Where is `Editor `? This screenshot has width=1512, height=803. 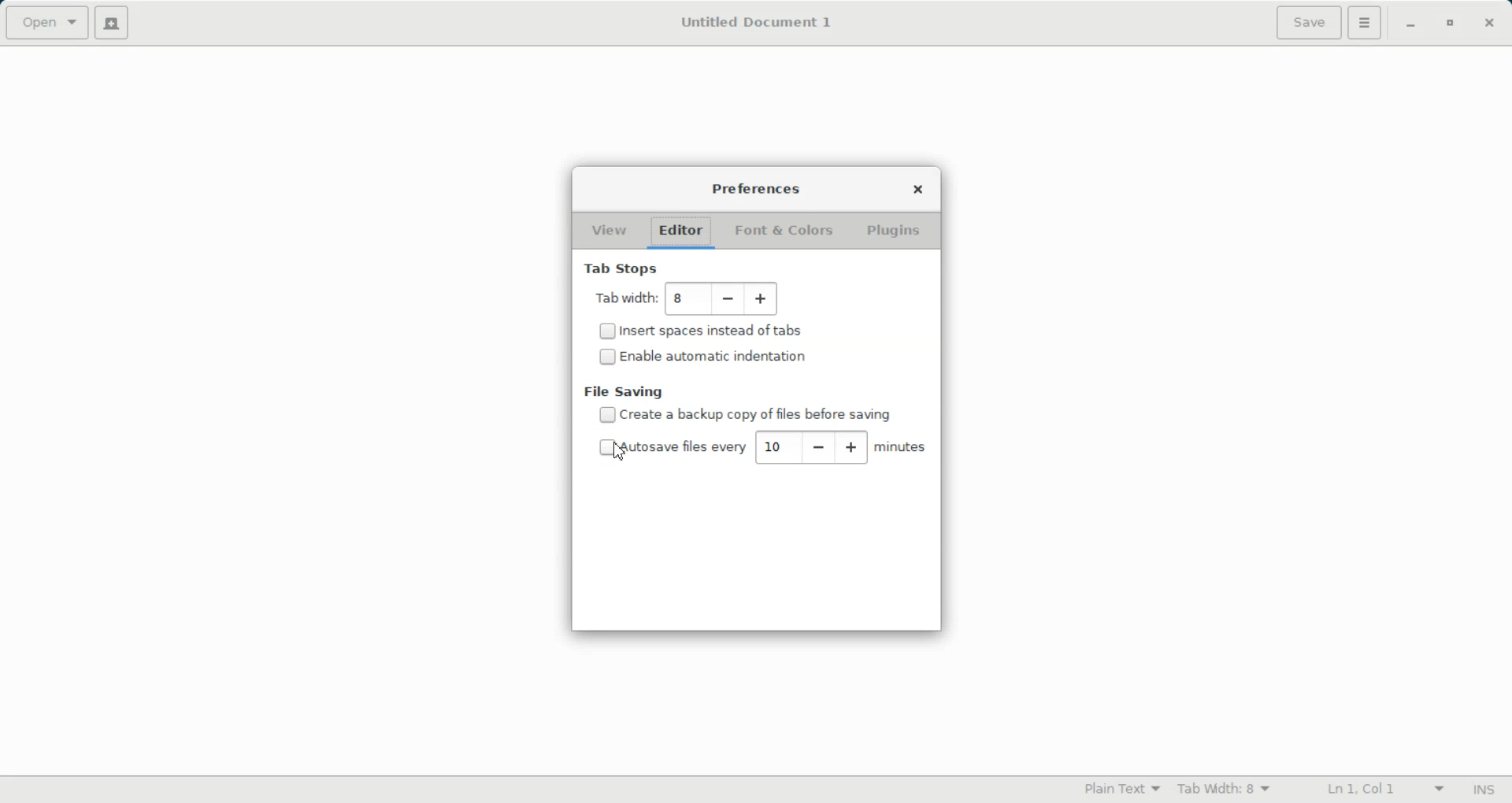 Editor  is located at coordinates (678, 233).